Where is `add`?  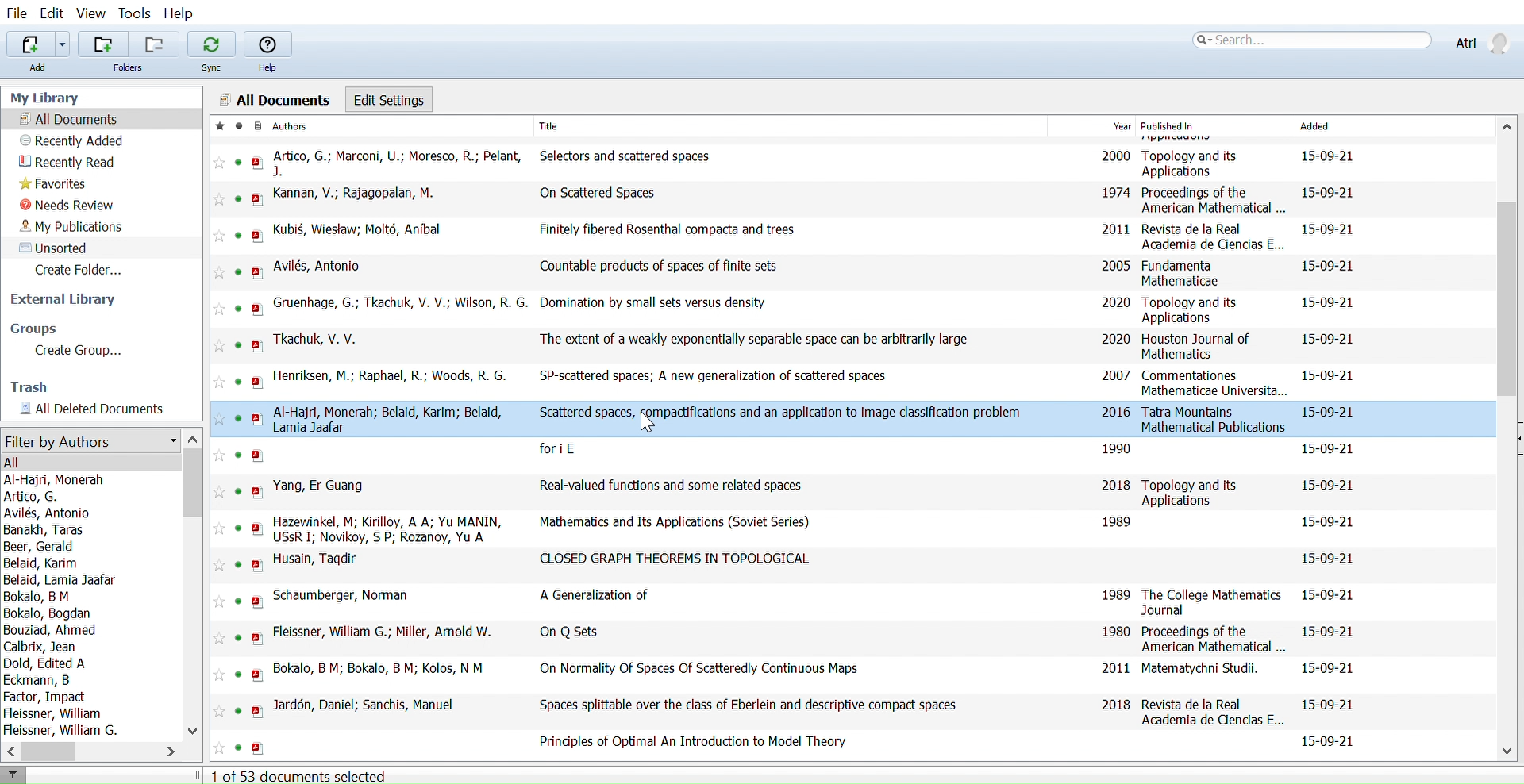 add is located at coordinates (48, 67).